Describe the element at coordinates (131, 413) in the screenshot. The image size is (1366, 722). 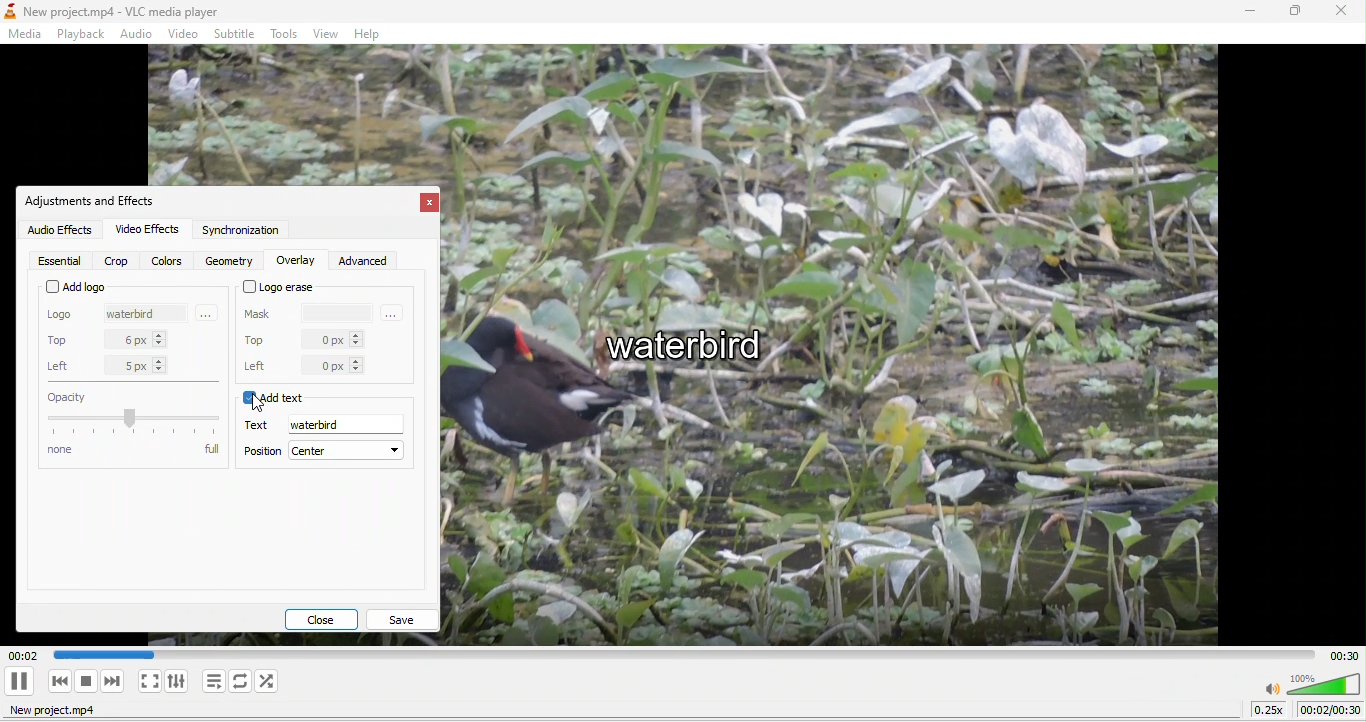
I see `capacity` at that location.